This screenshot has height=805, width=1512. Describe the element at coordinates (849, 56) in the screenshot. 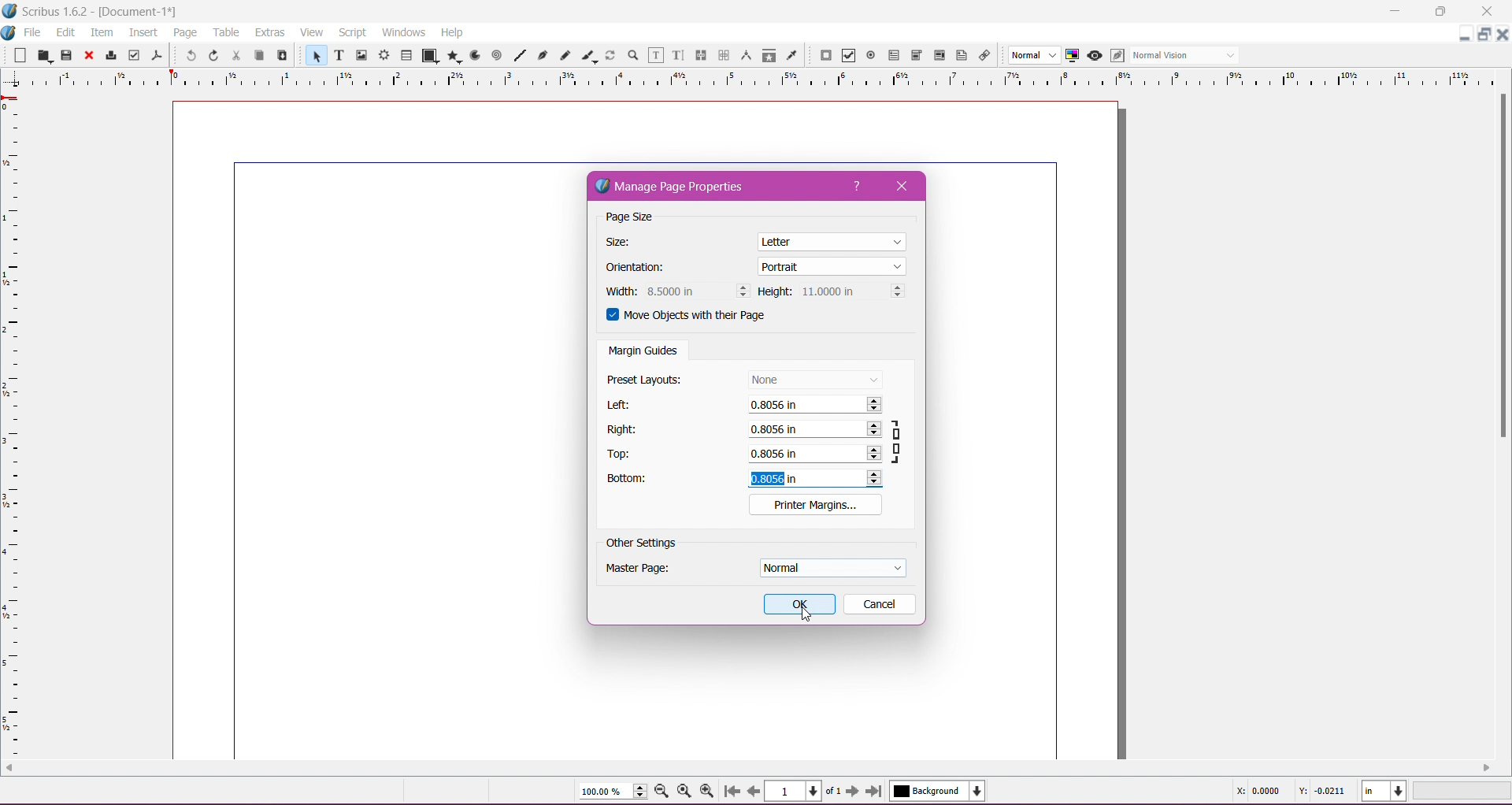

I see `PDF Check Box` at that location.